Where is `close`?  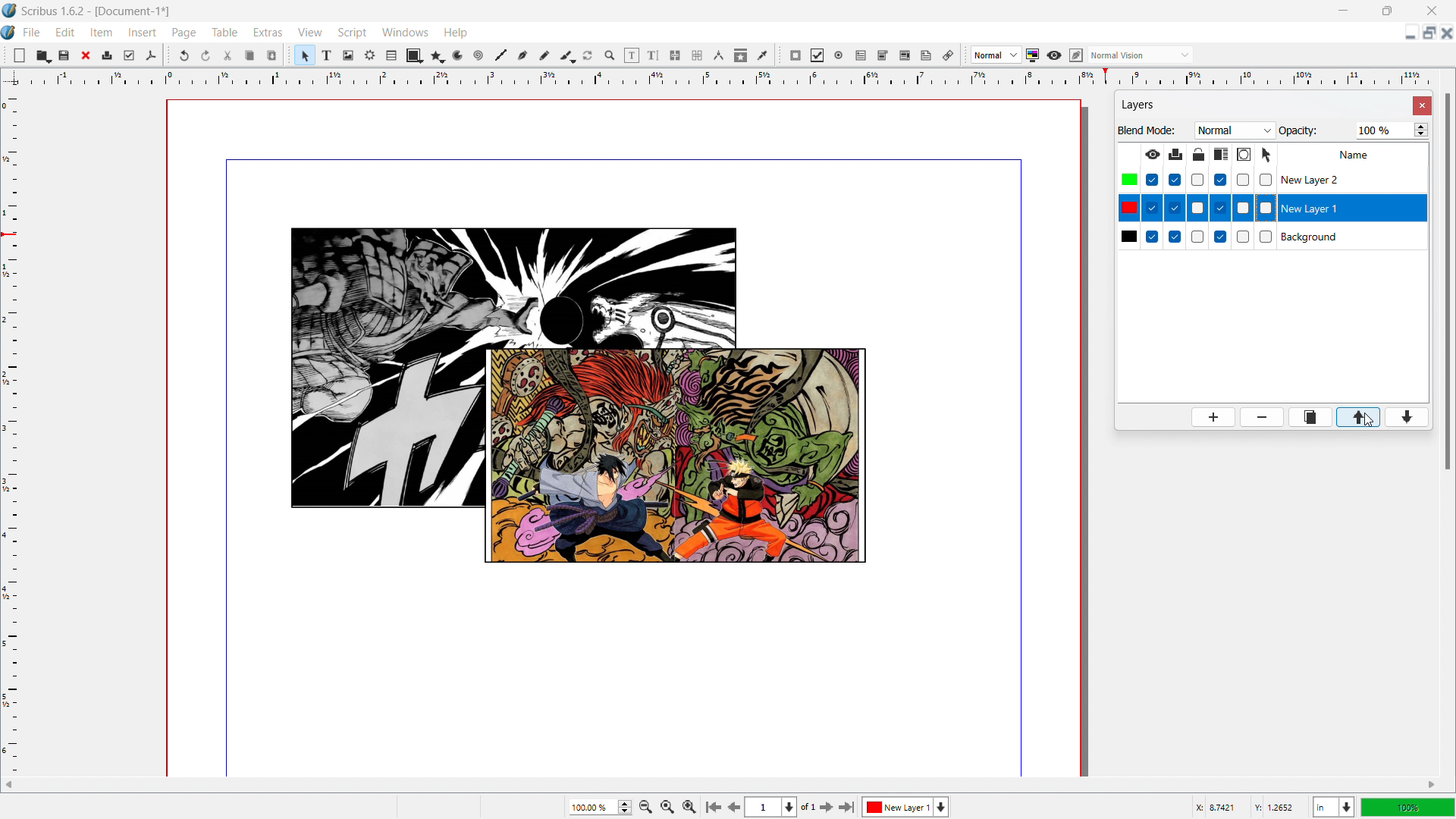
close is located at coordinates (87, 55).